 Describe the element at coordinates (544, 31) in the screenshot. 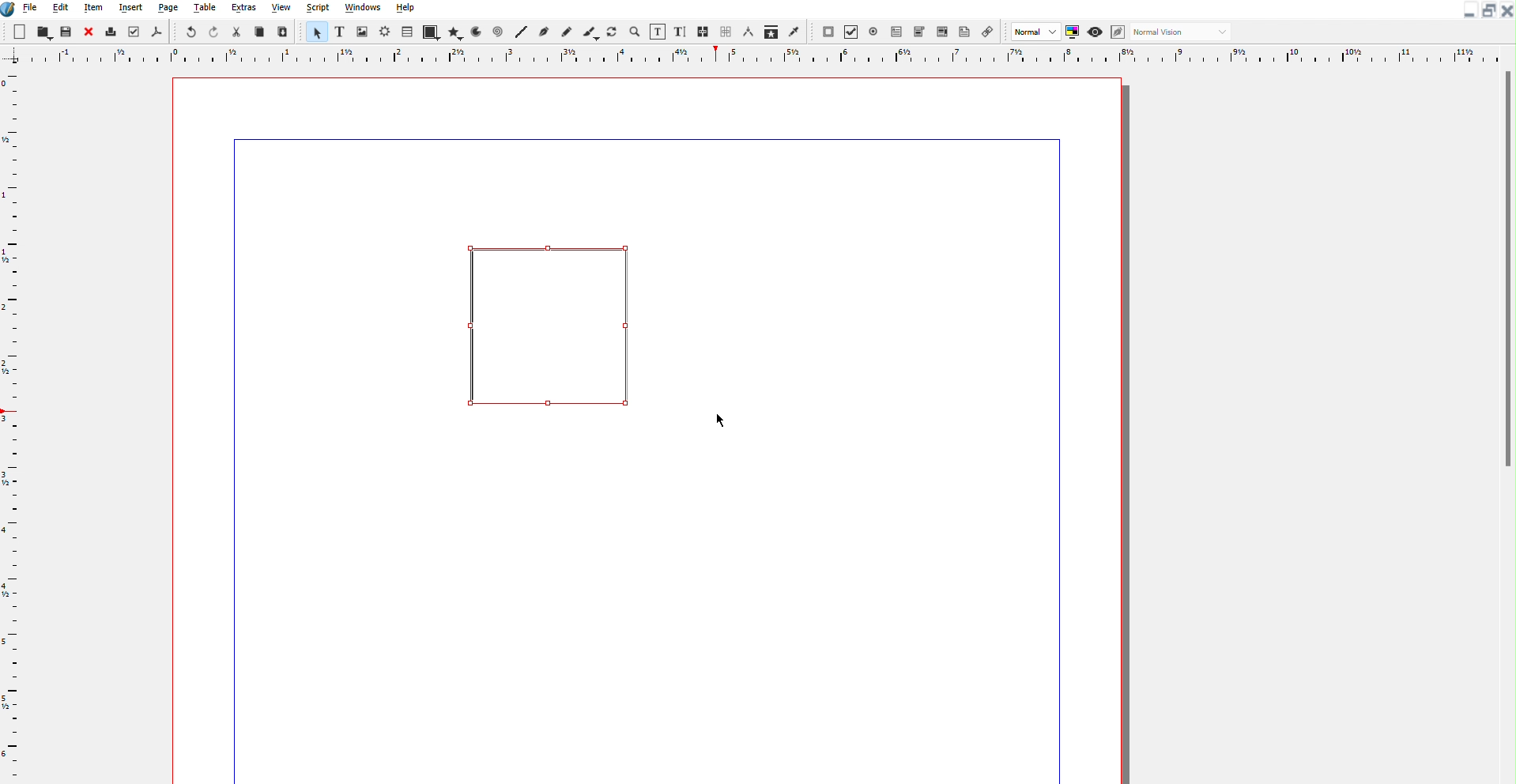

I see `Bezier Curve` at that location.